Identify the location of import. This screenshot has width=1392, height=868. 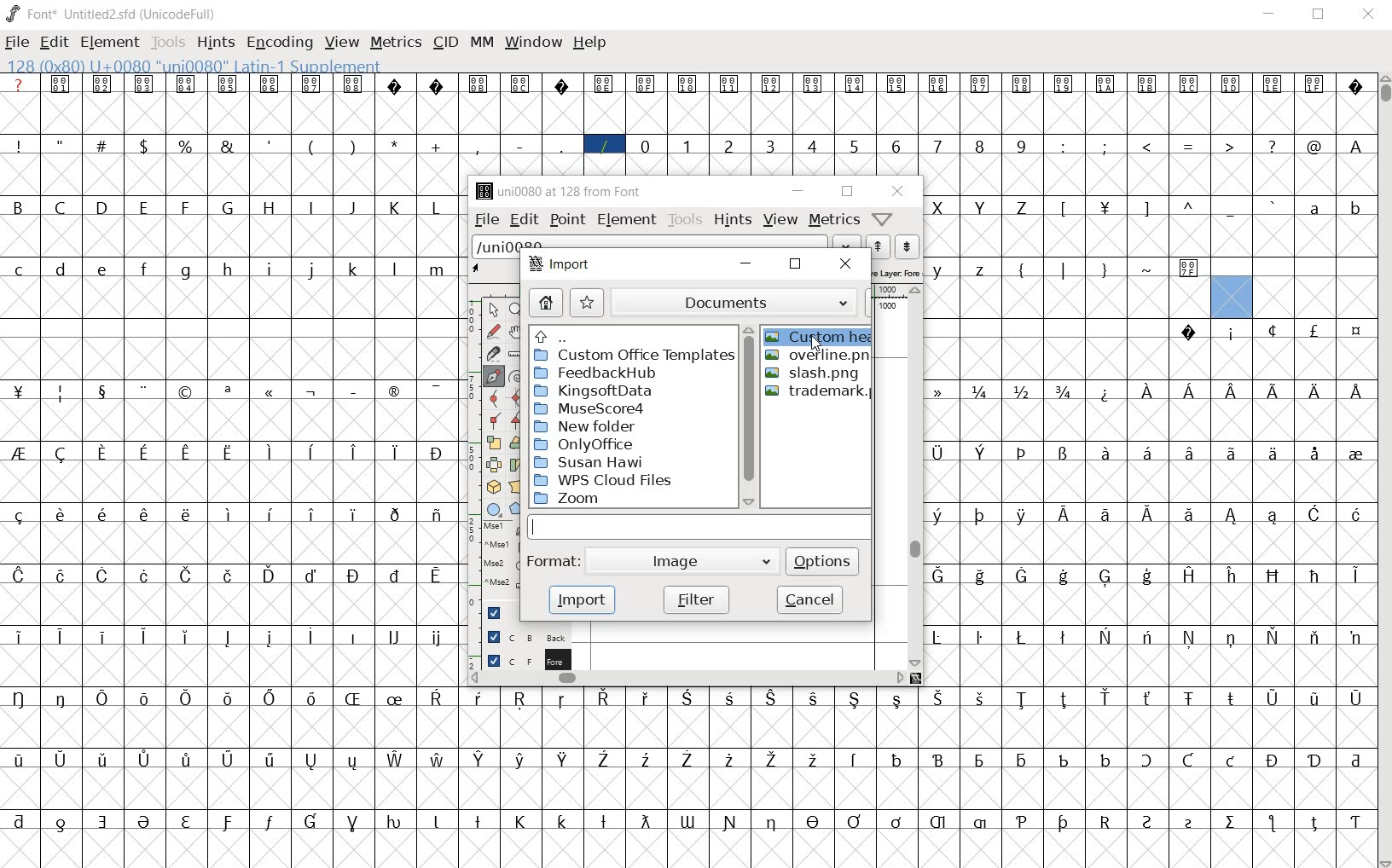
(559, 263).